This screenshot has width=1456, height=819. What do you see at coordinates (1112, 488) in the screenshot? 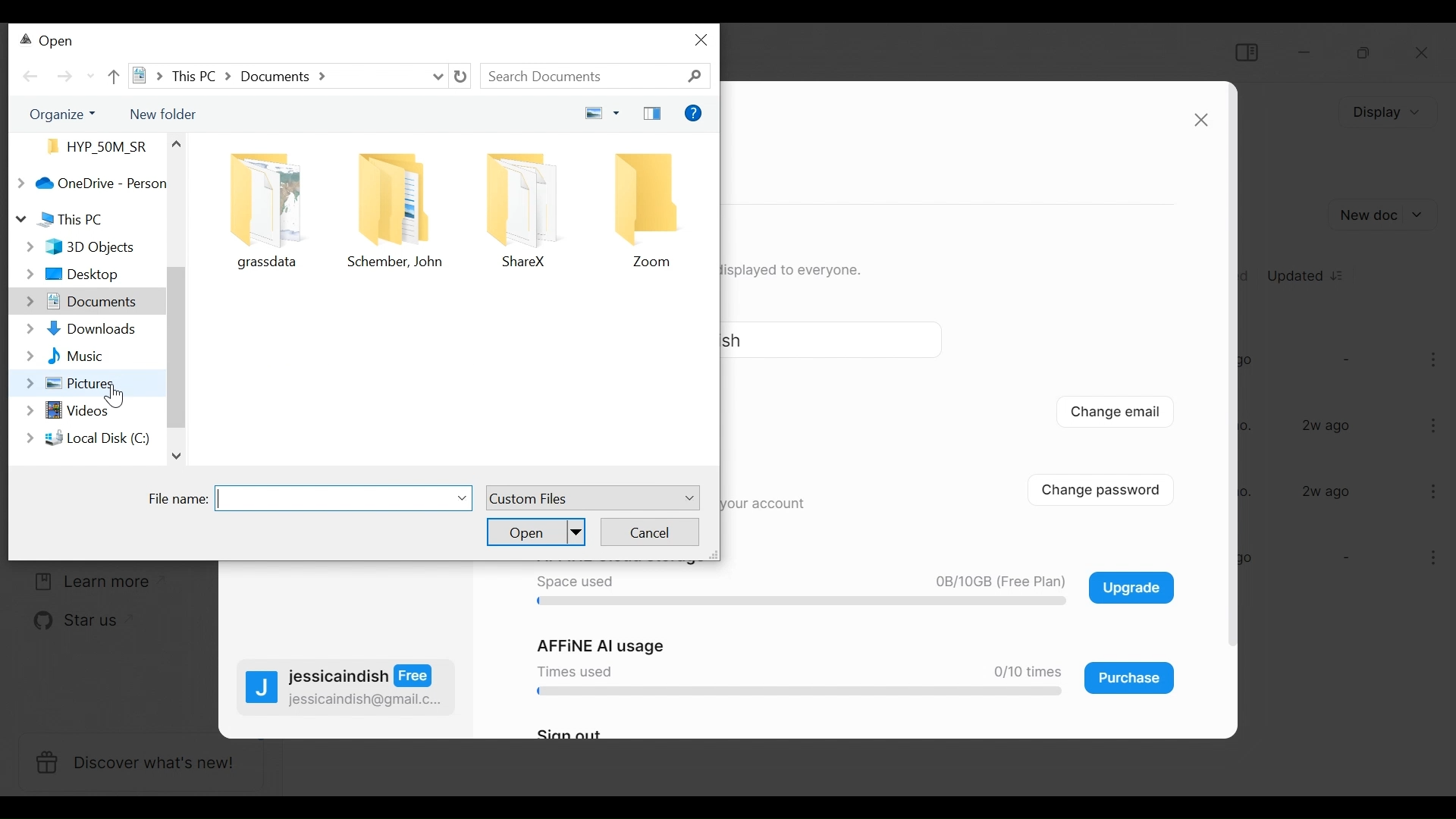
I see `Change password` at bounding box center [1112, 488].